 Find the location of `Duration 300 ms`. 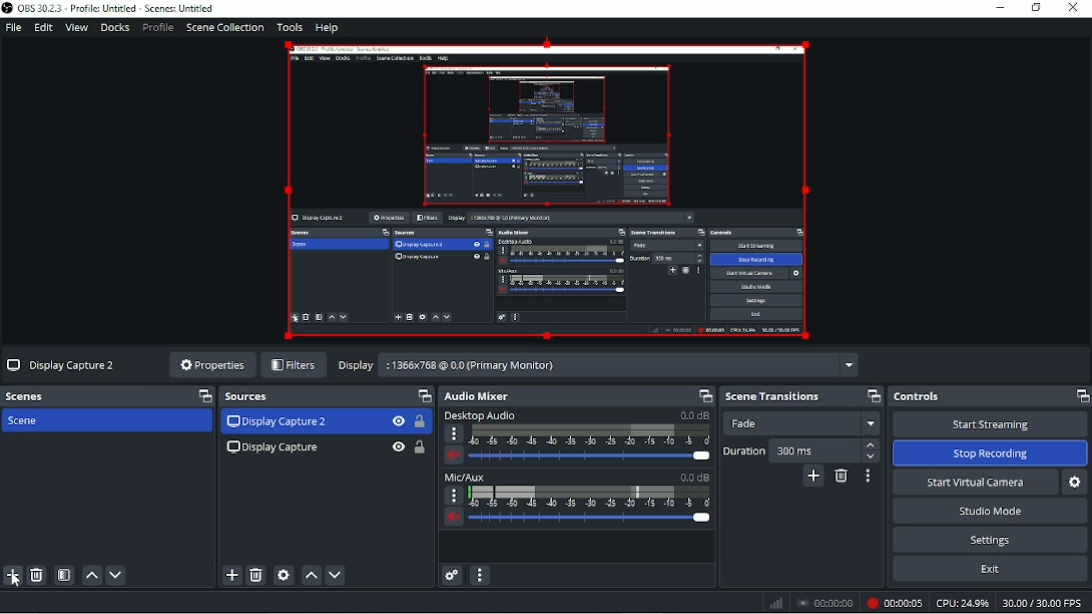

Duration 300 ms is located at coordinates (800, 451).